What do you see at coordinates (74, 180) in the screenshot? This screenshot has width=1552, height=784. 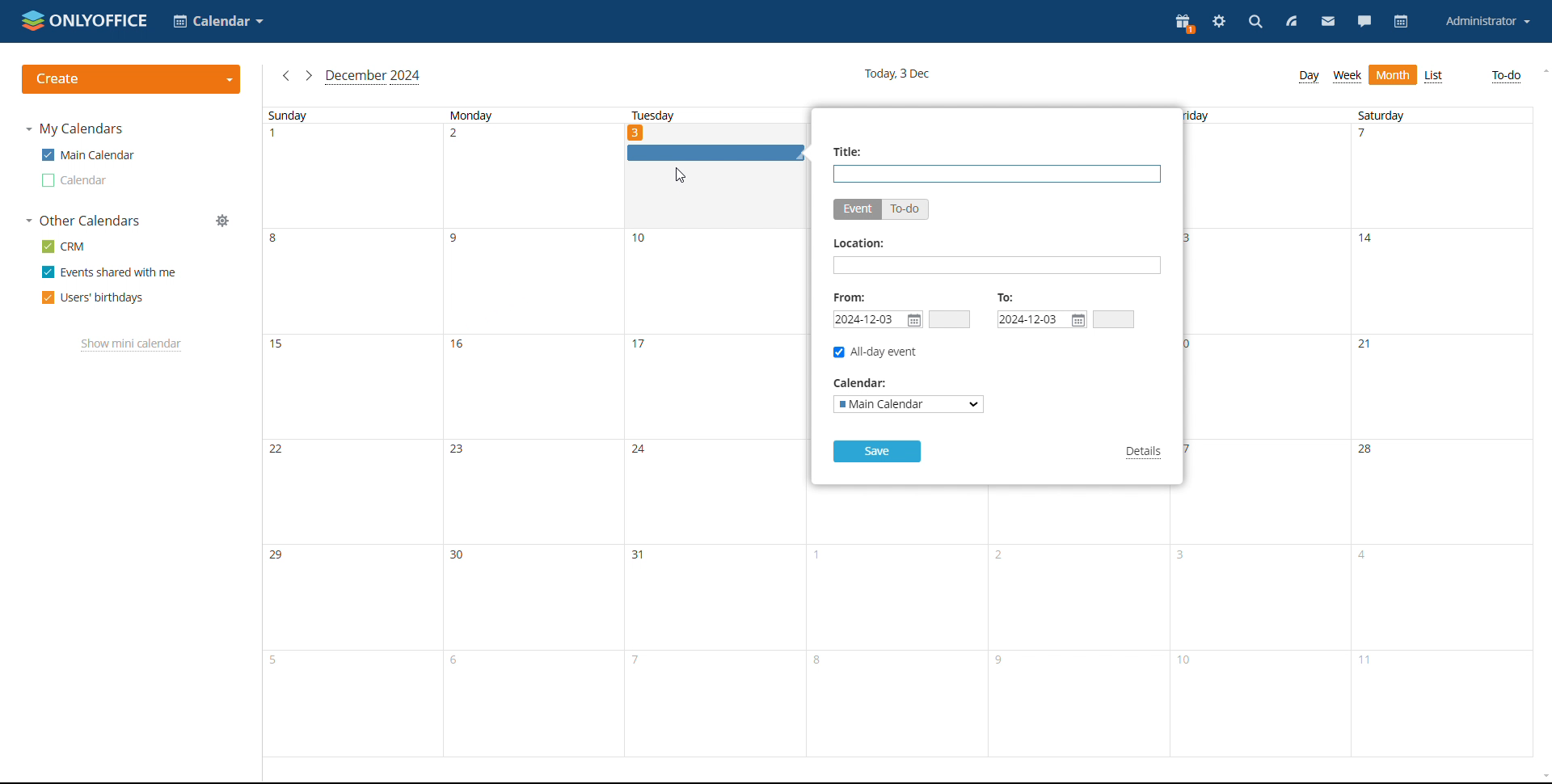 I see `other calendar` at bounding box center [74, 180].